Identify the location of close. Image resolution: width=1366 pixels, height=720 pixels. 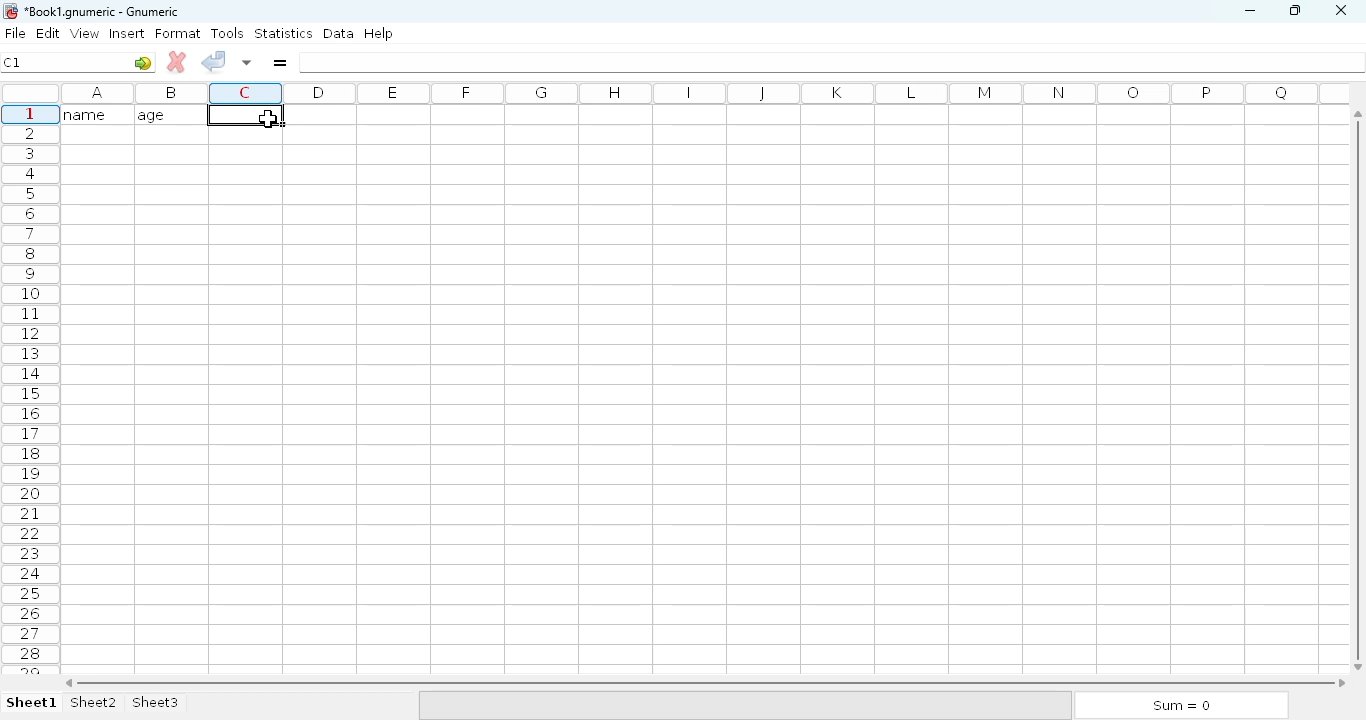
(1340, 11).